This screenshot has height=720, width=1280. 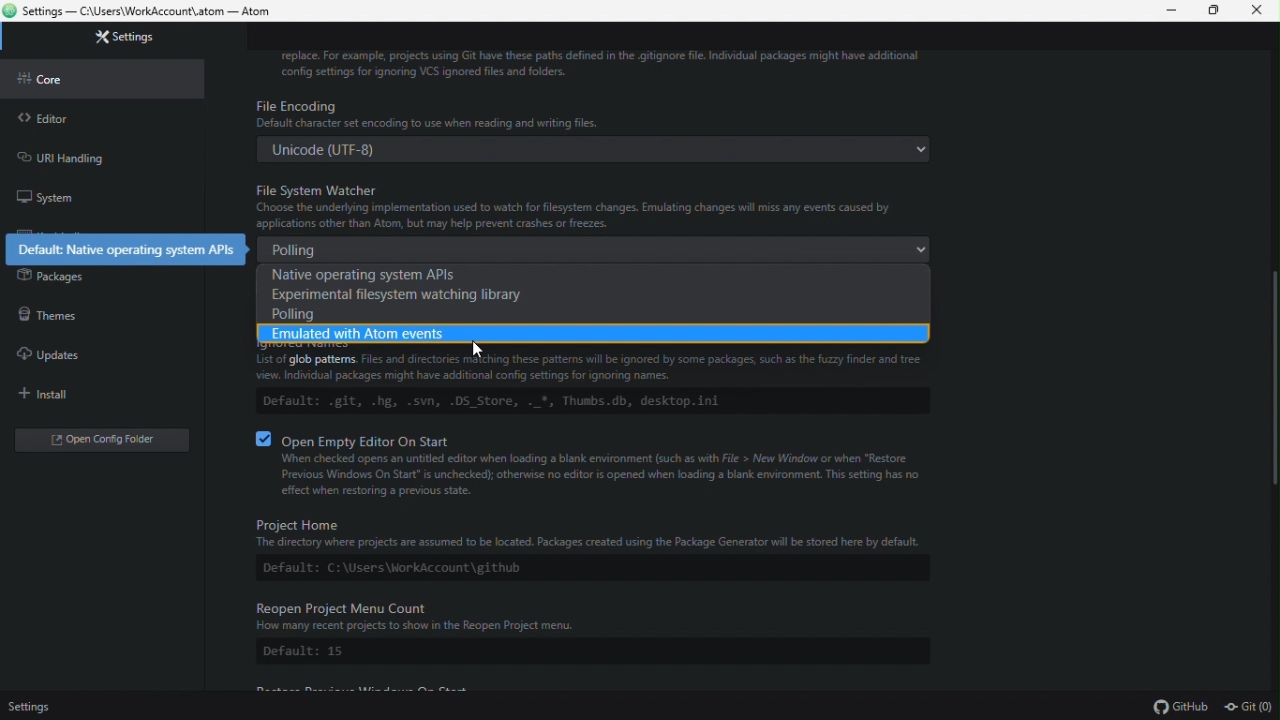 What do you see at coordinates (580, 615) in the screenshot?
I see `Reopen Project Menu Count How many recent projects to show in the Reopen Project menu.` at bounding box center [580, 615].